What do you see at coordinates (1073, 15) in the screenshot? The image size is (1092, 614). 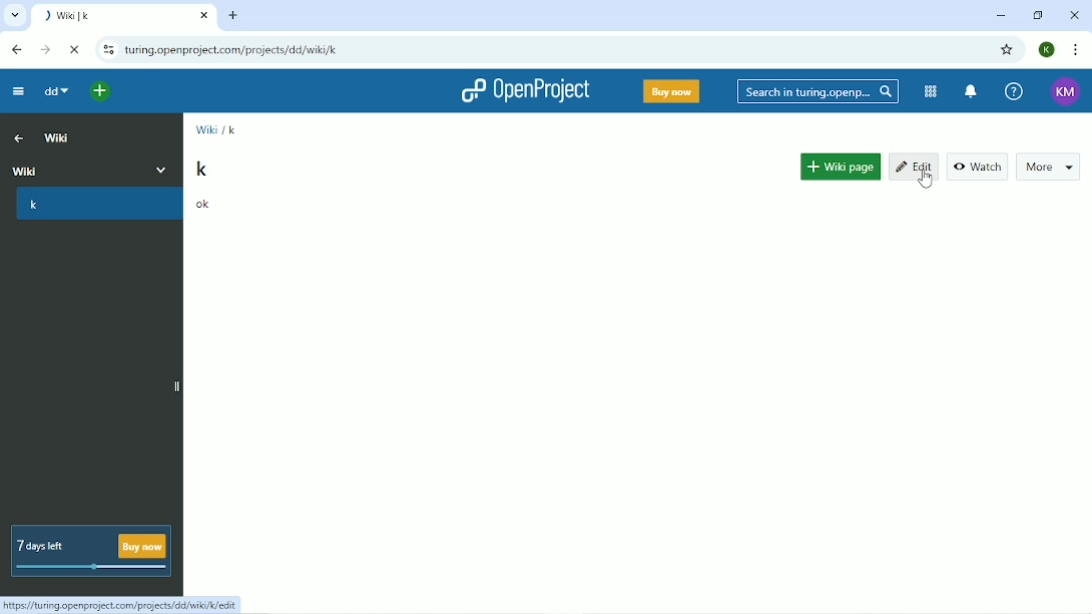 I see `Close` at bounding box center [1073, 15].